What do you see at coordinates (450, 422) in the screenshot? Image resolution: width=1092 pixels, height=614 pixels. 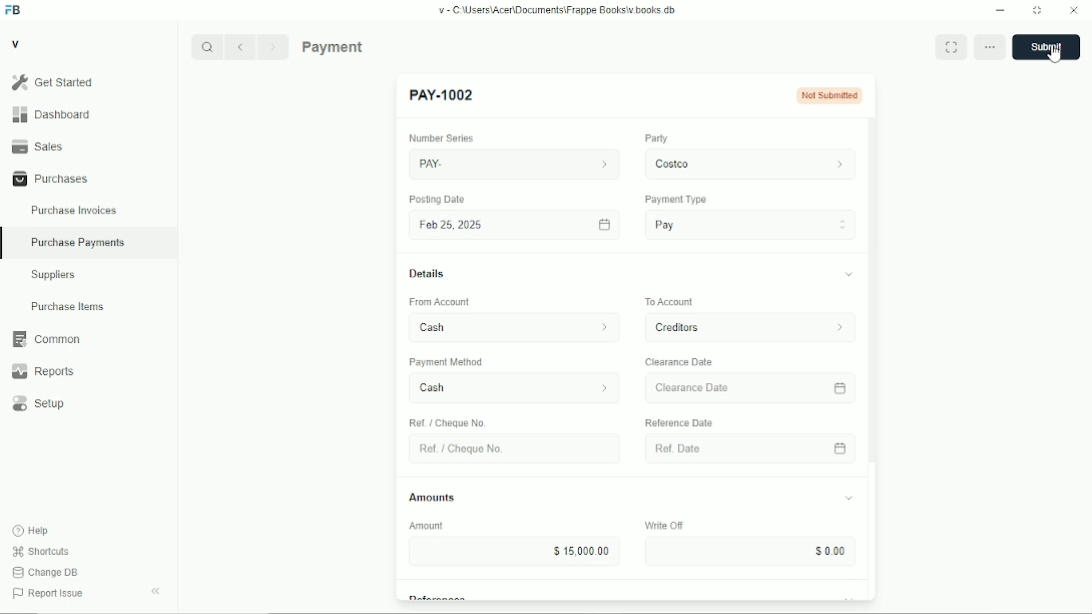 I see `Ref / Cheque No.` at bounding box center [450, 422].